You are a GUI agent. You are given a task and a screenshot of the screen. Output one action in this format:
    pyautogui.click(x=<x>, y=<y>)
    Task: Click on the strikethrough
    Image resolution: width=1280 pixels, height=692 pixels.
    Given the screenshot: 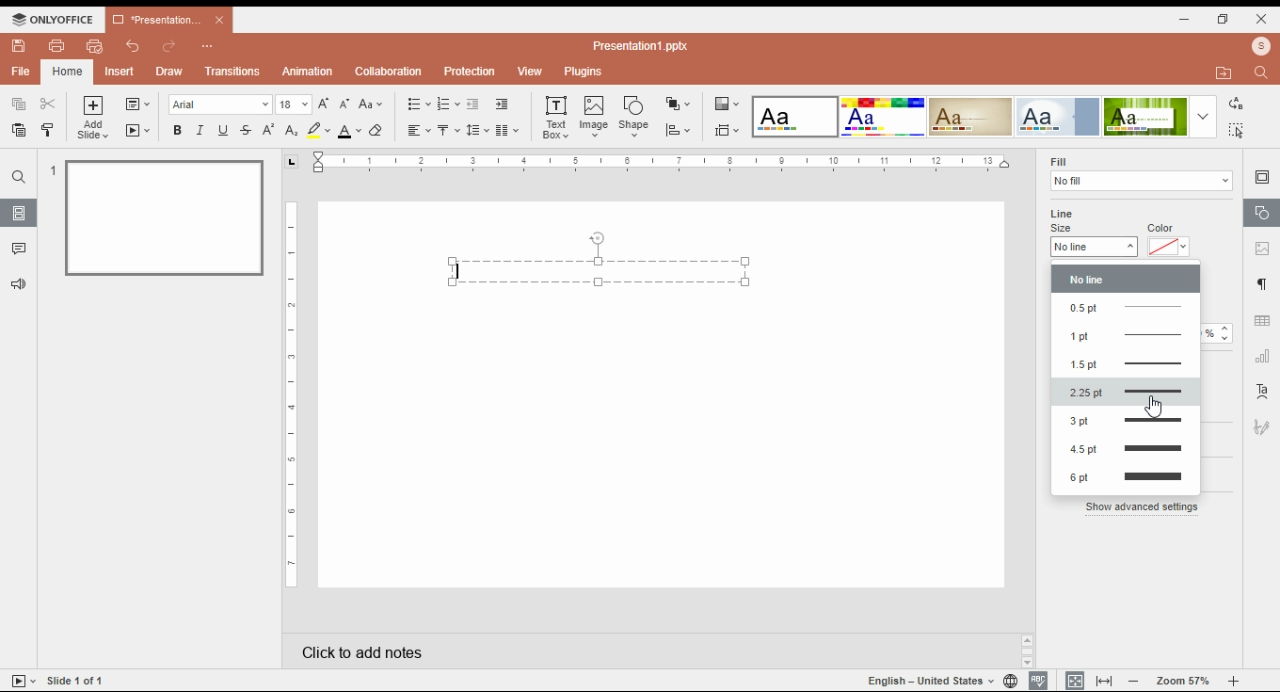 What is the action you would take?
    pyautogui.click(x=246, y=131)
    